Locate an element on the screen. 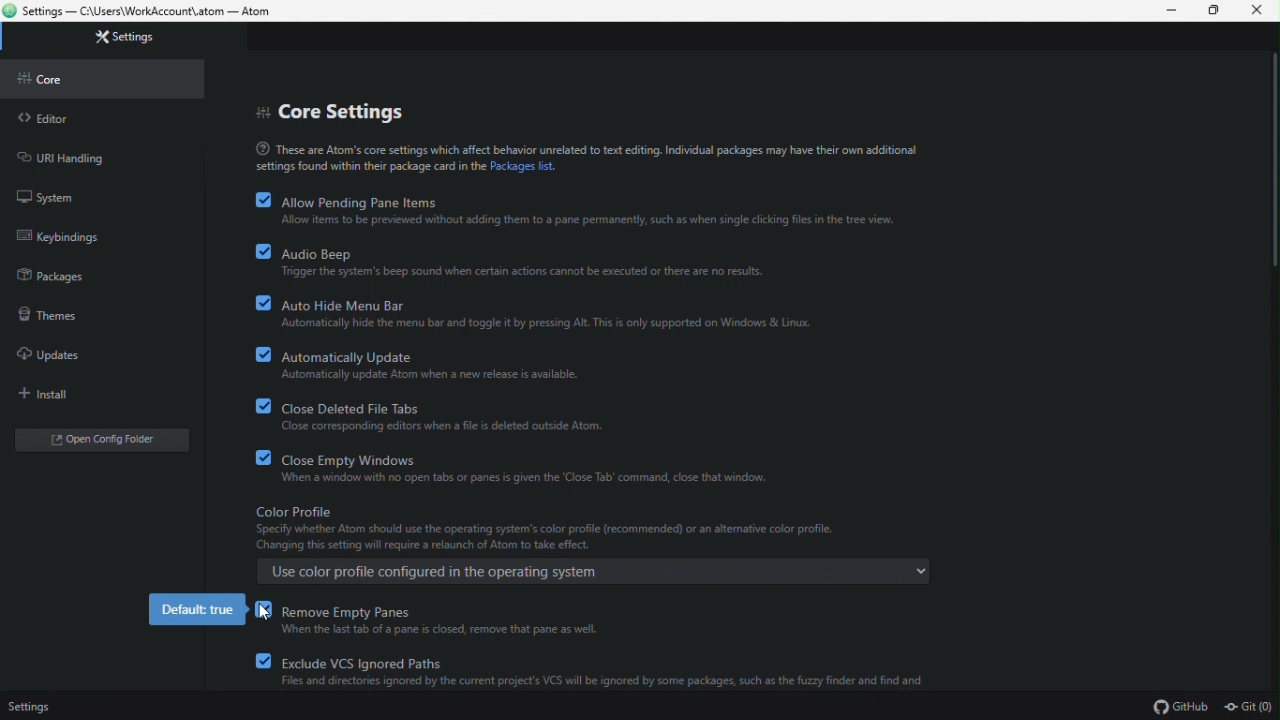 The image size is (1280, 720). settings is located at coordinates (130, 38).